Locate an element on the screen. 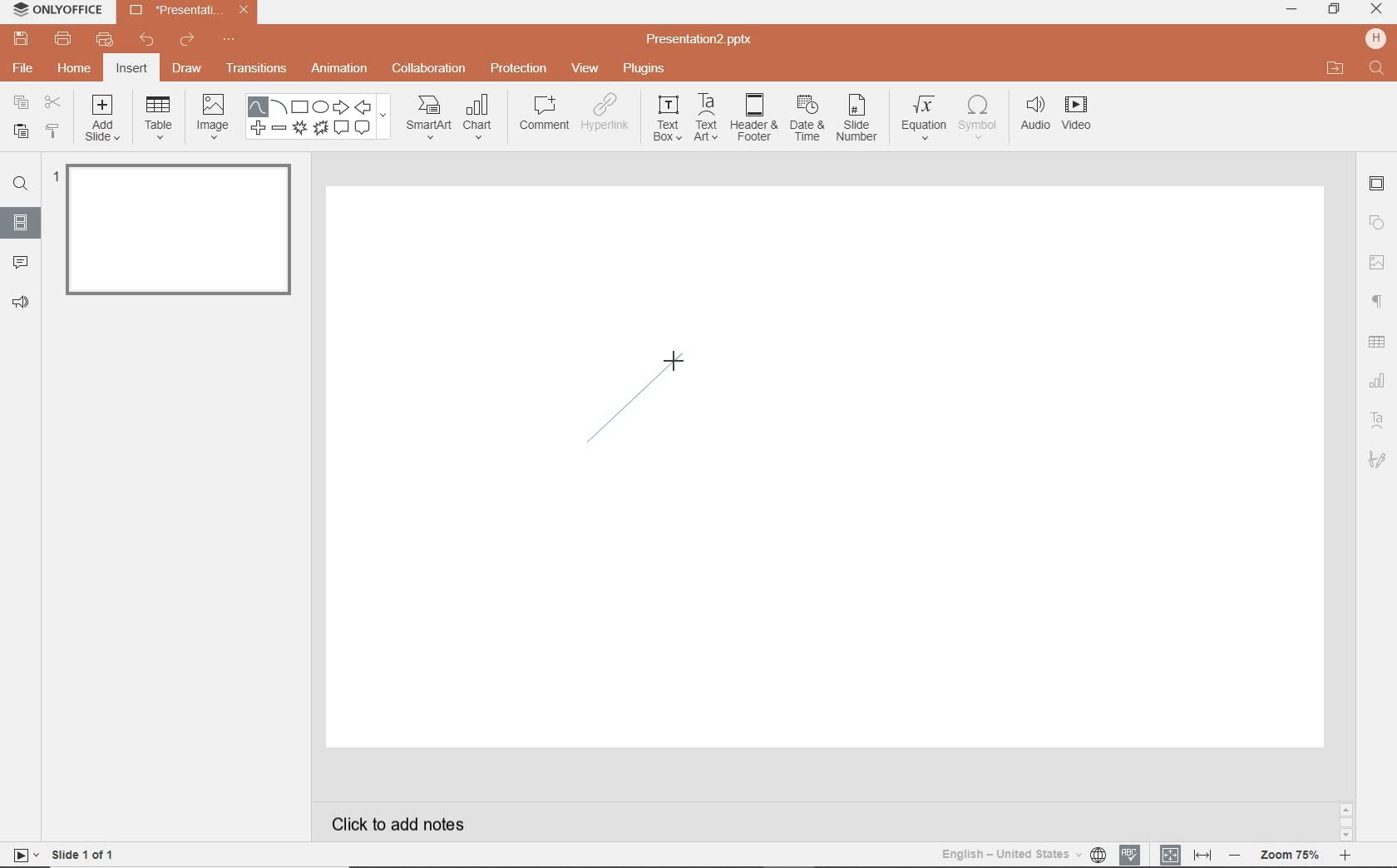 Image resolution: width=1397 pixels, height=868 pixels. SLIDE SETTINGS is located at coordinates (1378, 185).